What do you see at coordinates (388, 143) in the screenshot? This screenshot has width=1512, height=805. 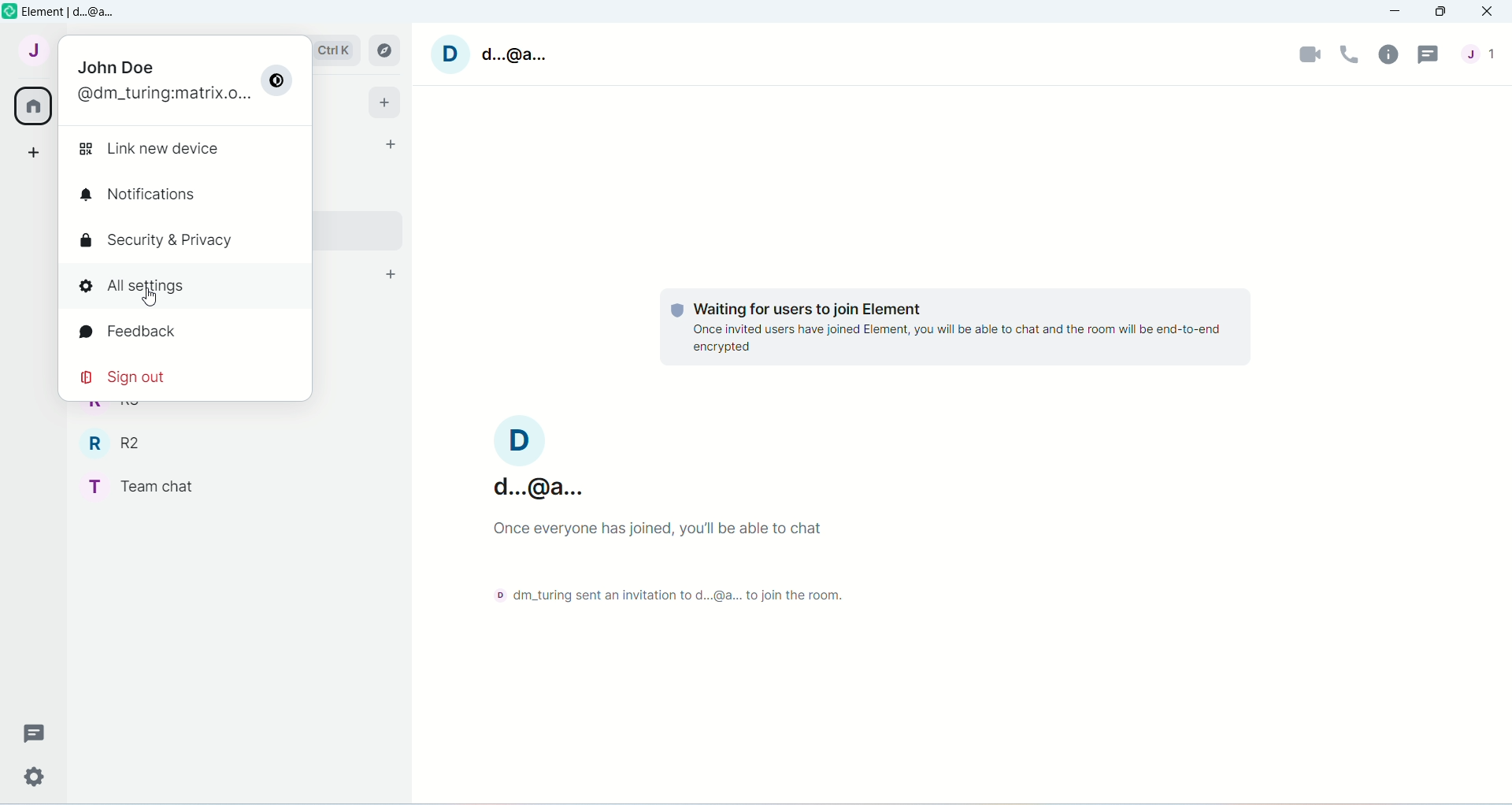 I see `Start chat` at bounding box center [388, 143].